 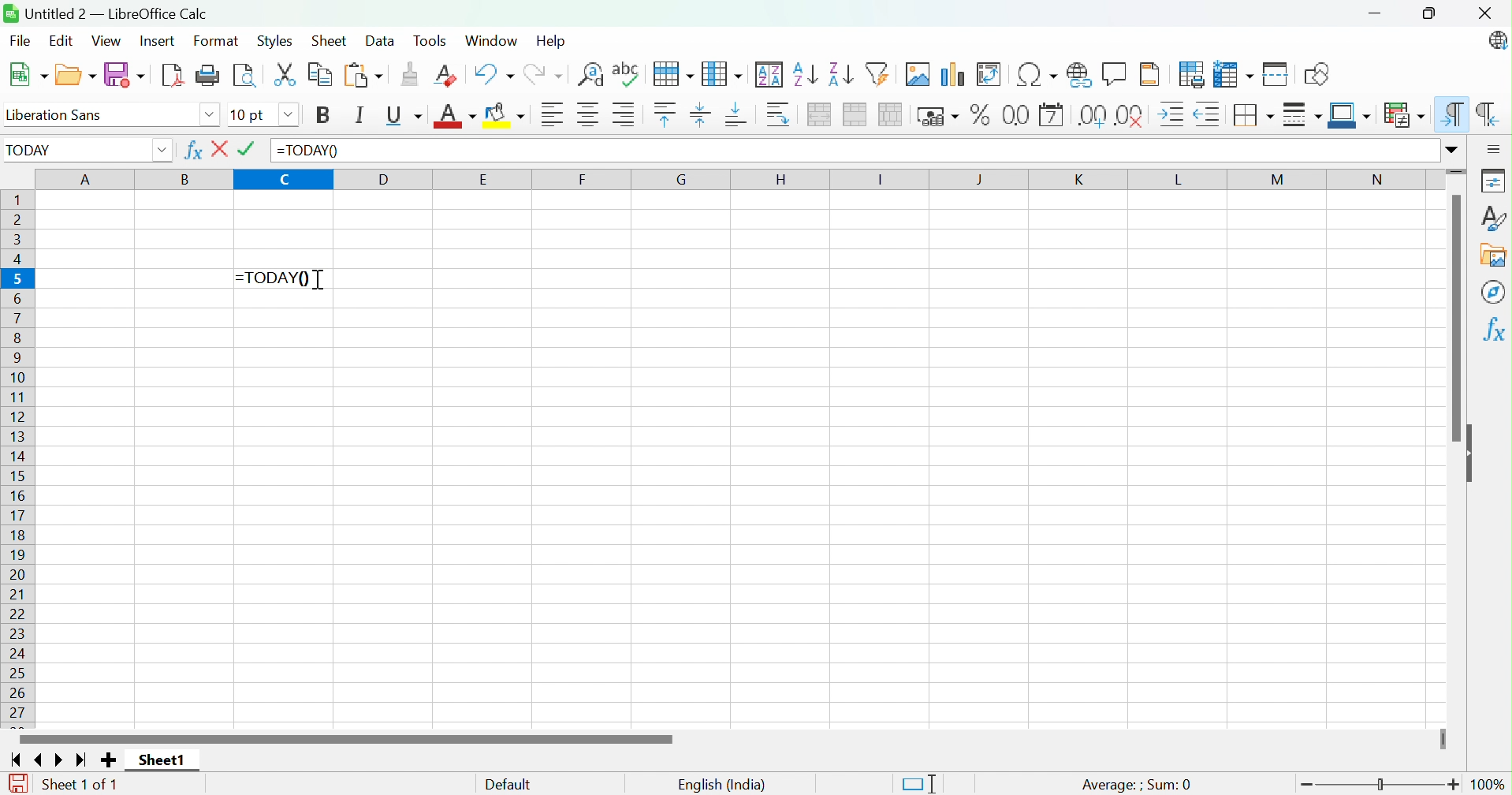 I want to click on Italic, so click(x=360, y=114).